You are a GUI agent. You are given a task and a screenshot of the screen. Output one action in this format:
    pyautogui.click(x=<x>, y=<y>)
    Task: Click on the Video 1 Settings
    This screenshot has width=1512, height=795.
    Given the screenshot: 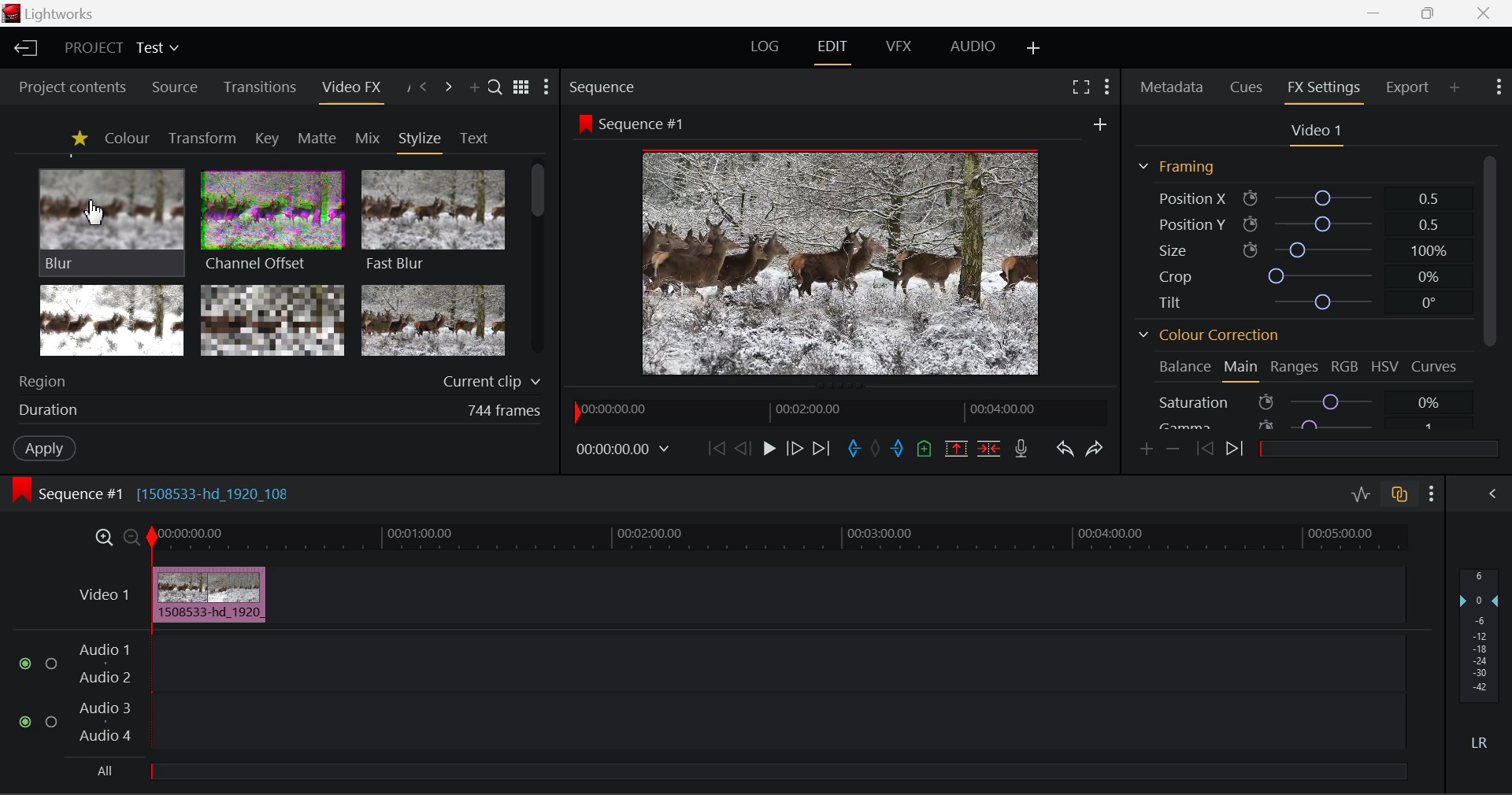 What is the action you would take?
    pyautogui.click(x=1317, y=132)
    